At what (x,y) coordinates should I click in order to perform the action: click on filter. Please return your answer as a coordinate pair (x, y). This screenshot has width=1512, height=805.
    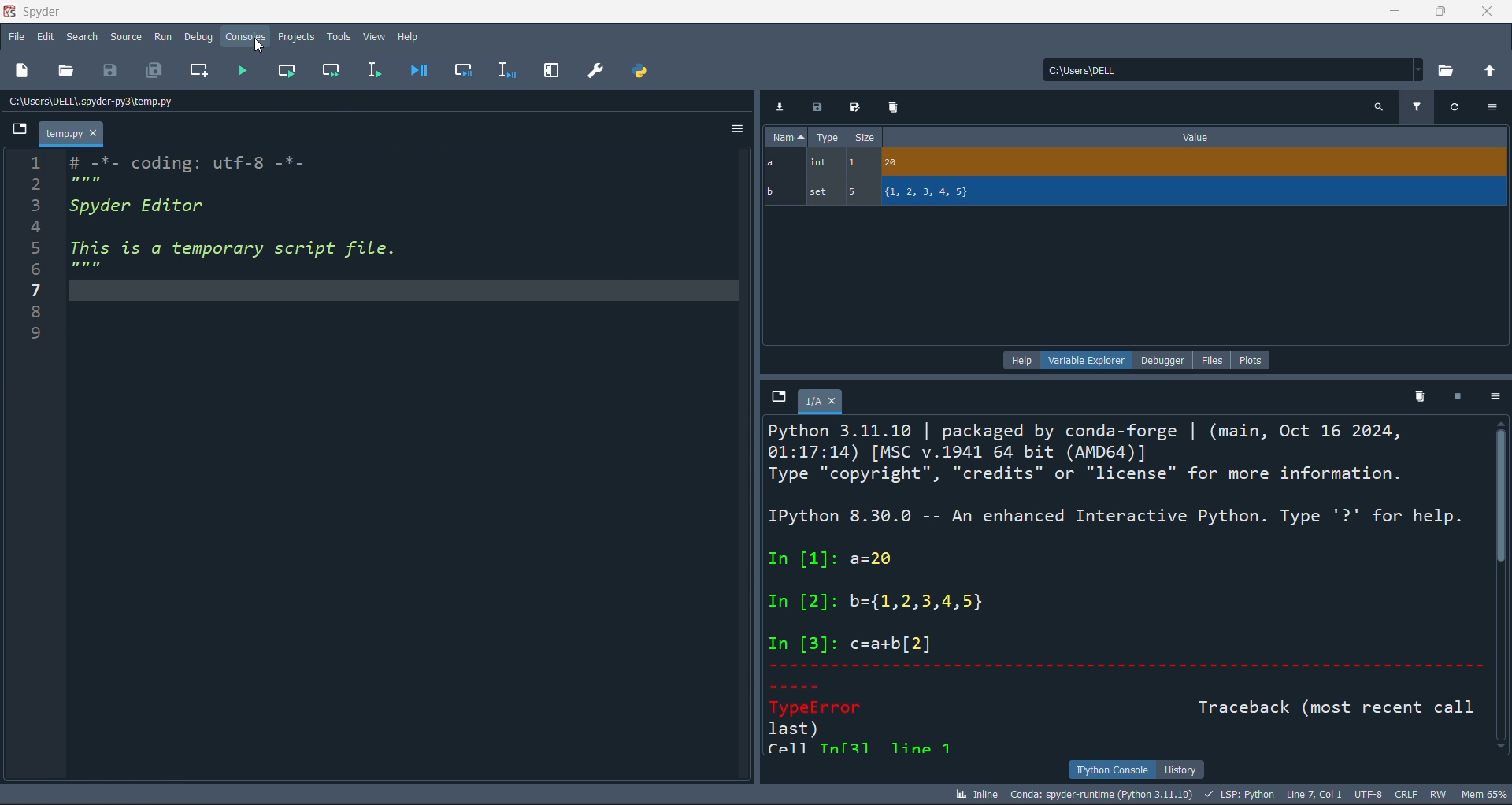
    Looking at the image, I should click on (1413, 109).